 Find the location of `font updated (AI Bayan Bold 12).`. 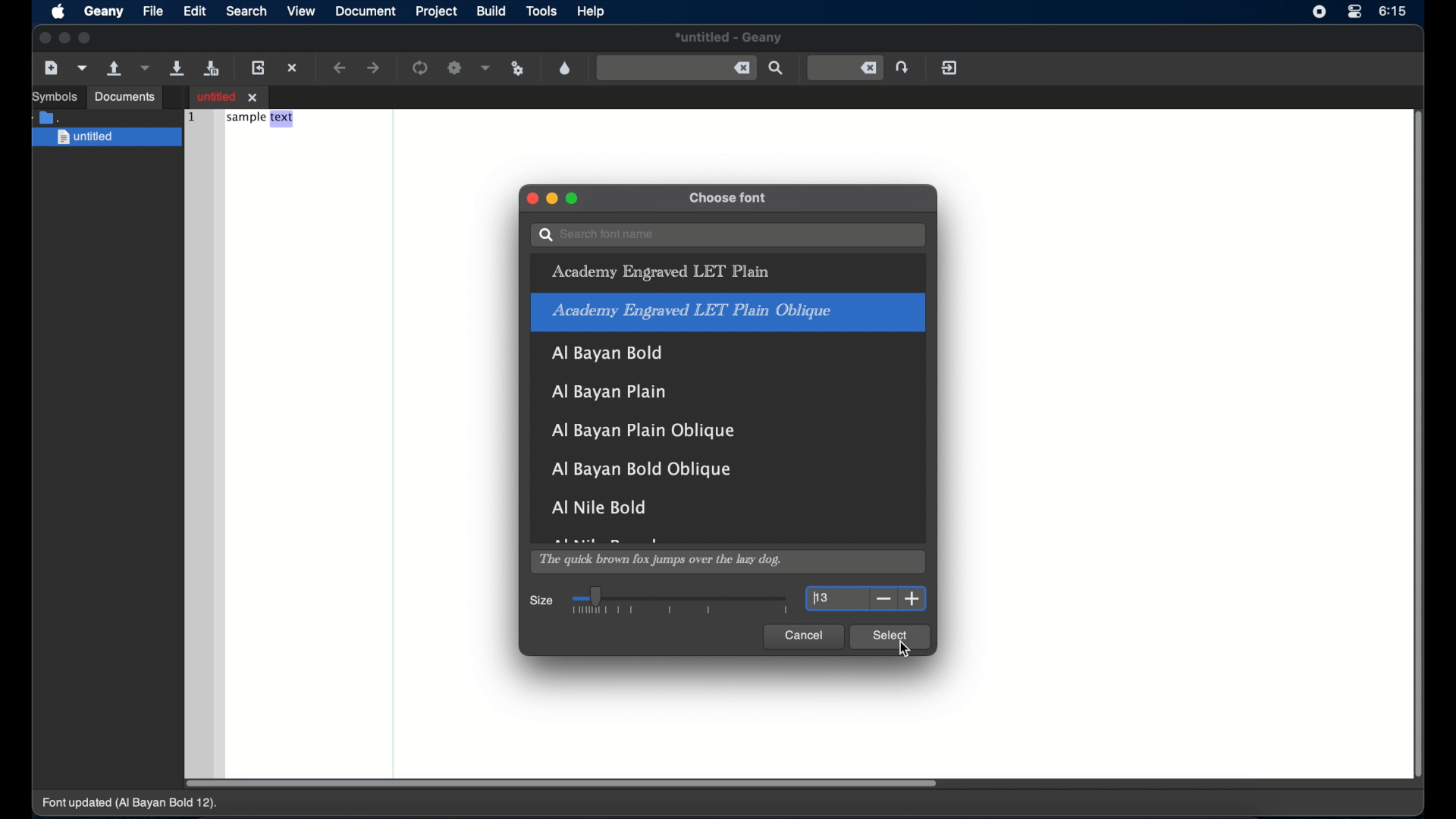

font updated (AI Bayan Bold 12). is located at coordinates (131, 804).